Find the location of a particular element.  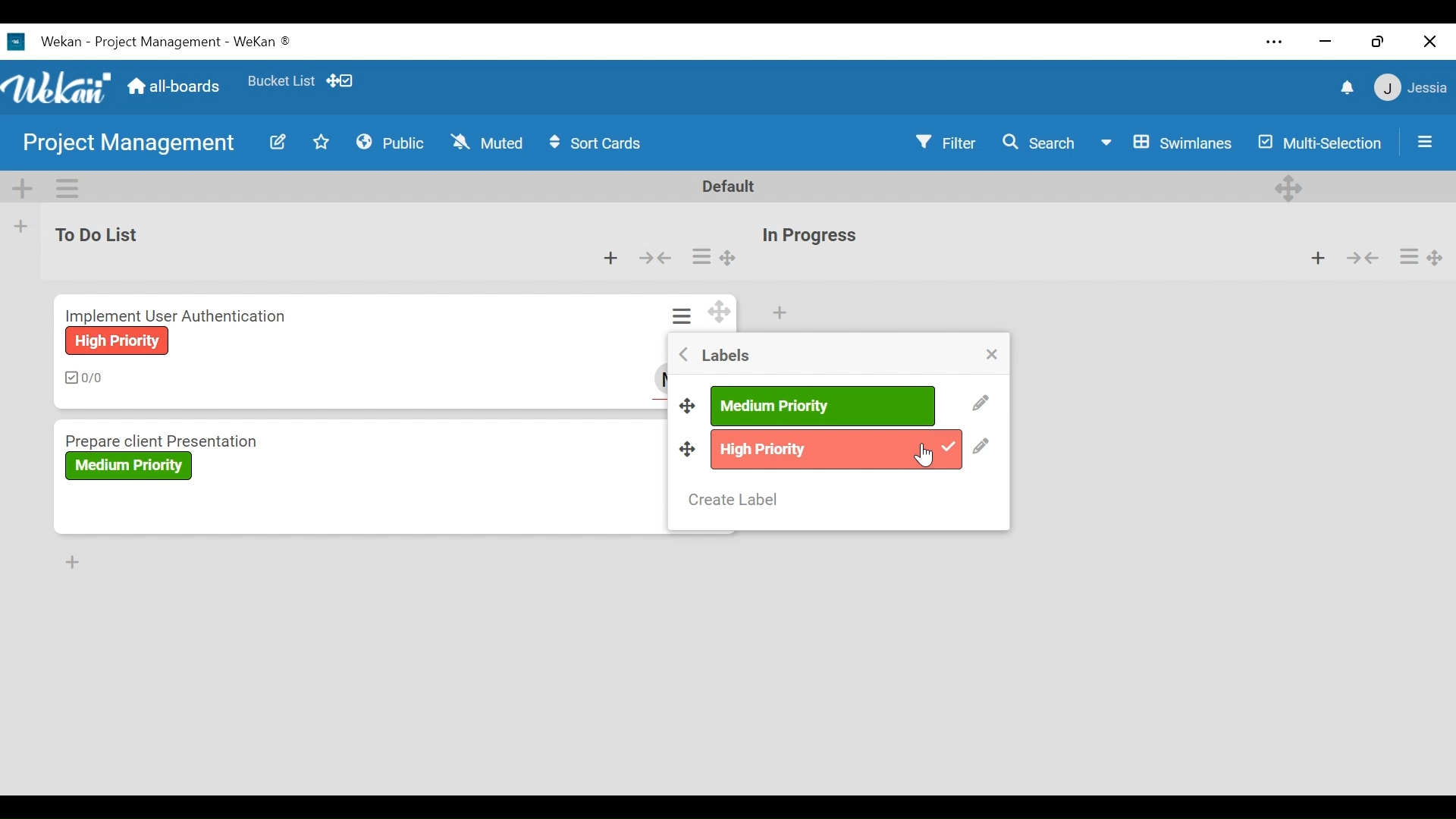

Add card to top of the list is located at coordinates (779, 313).